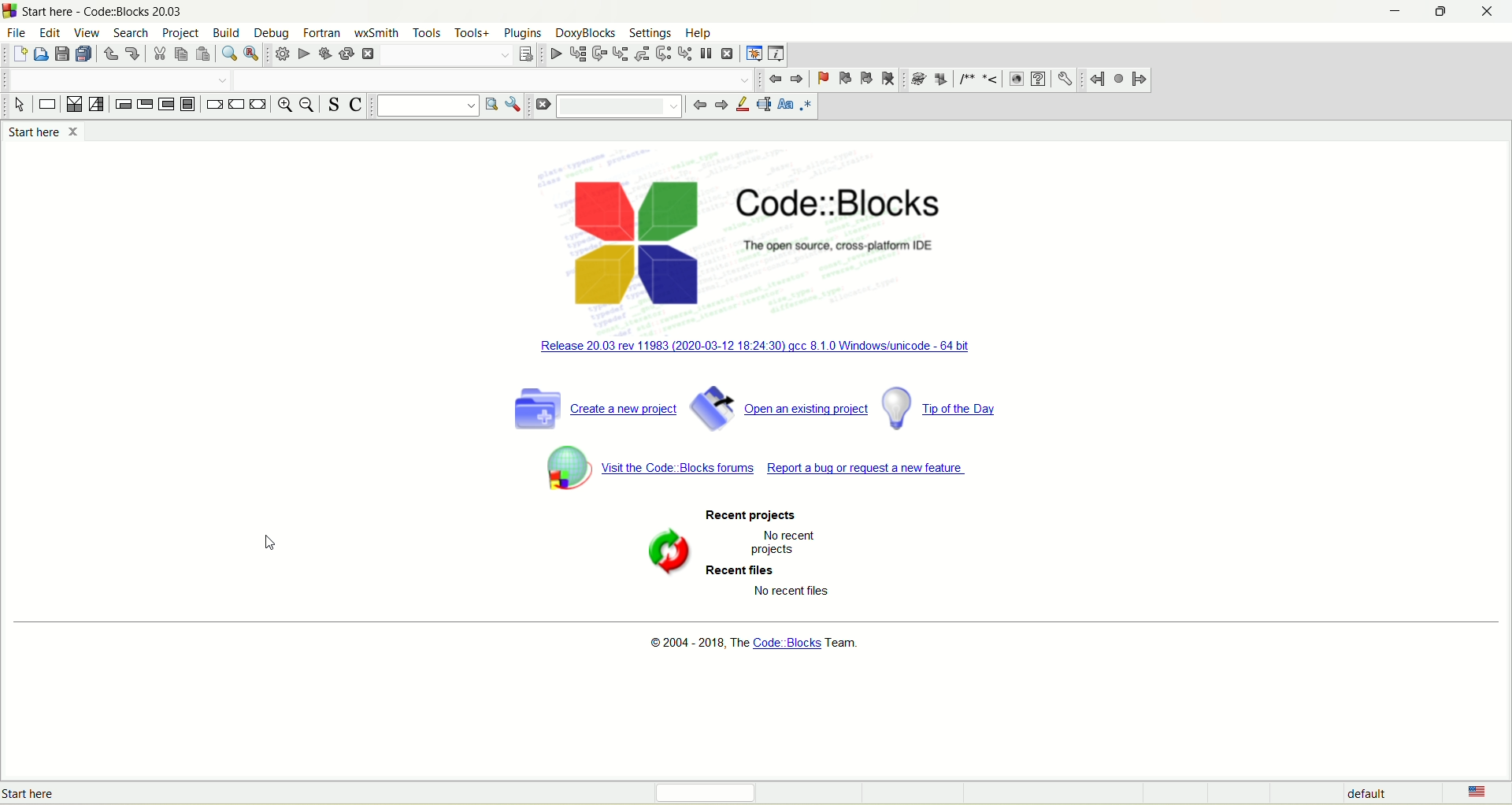  I want to click on step into instruction, so click(686, 54).